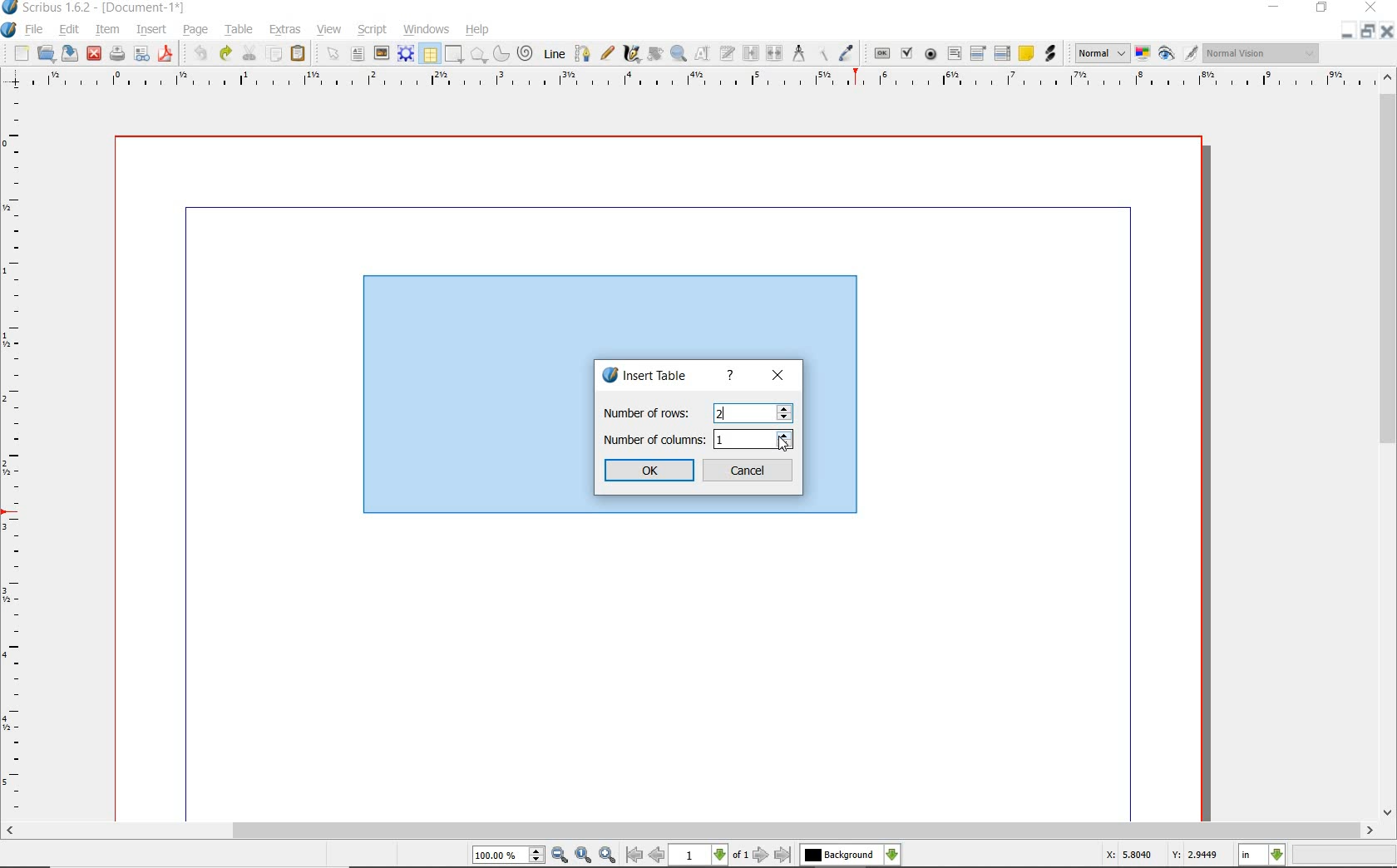 Image resolution: width=1397 pixels, height=868 pixels. I want to click on preflight verifier, so click(141, 55).